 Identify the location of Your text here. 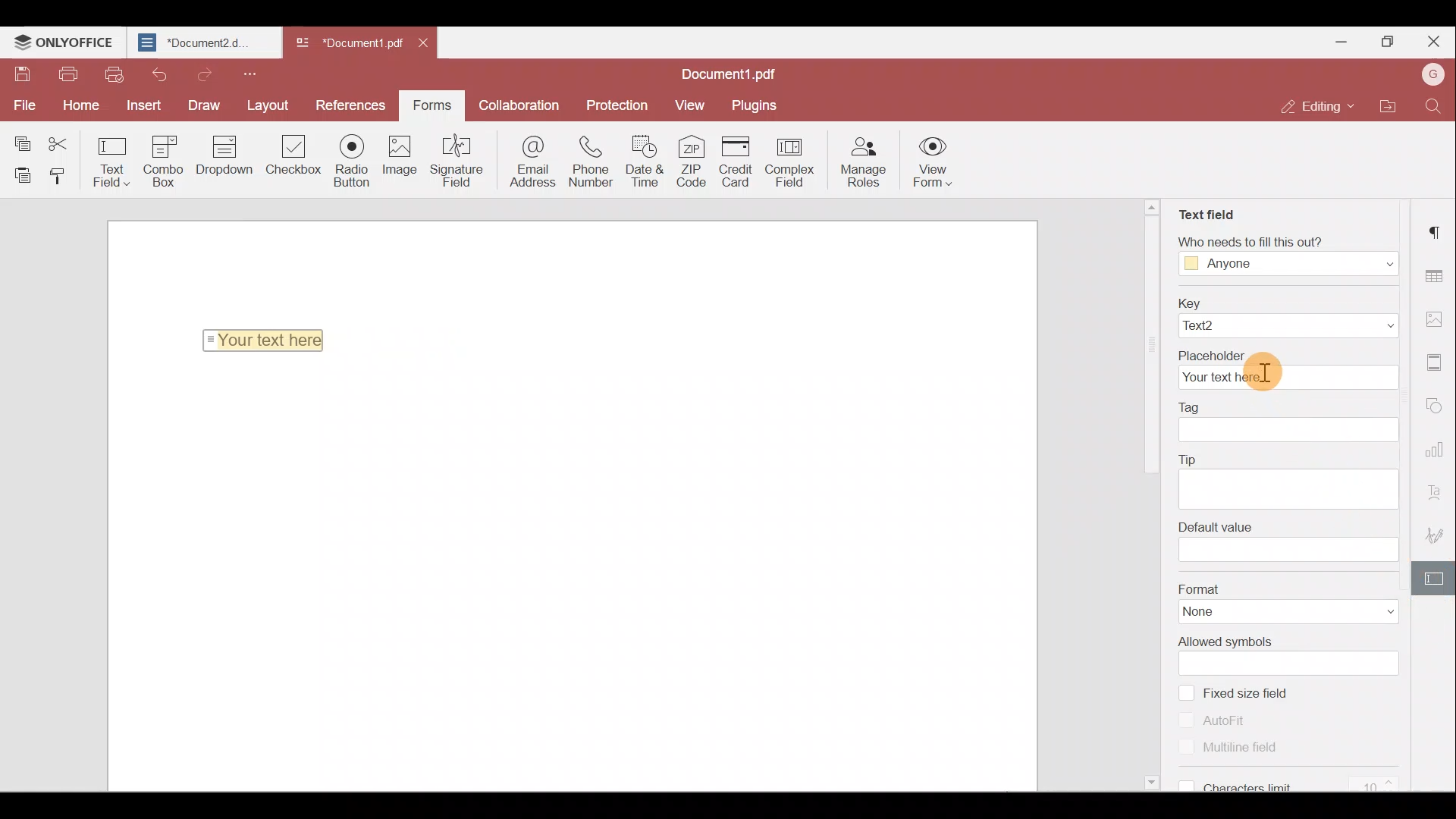
(1288, 378).